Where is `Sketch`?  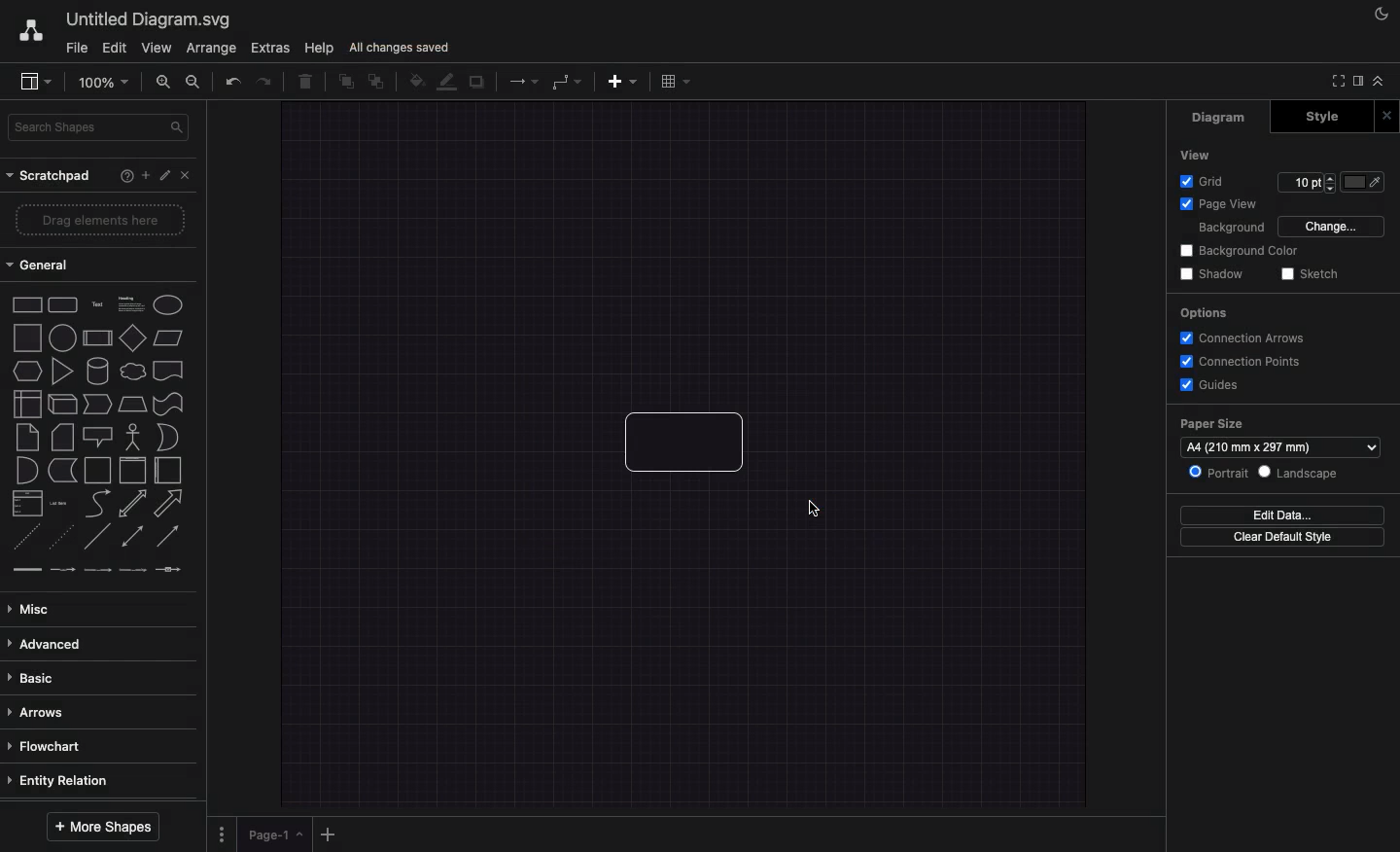 Sketch is located at coordinates (1312, 274).